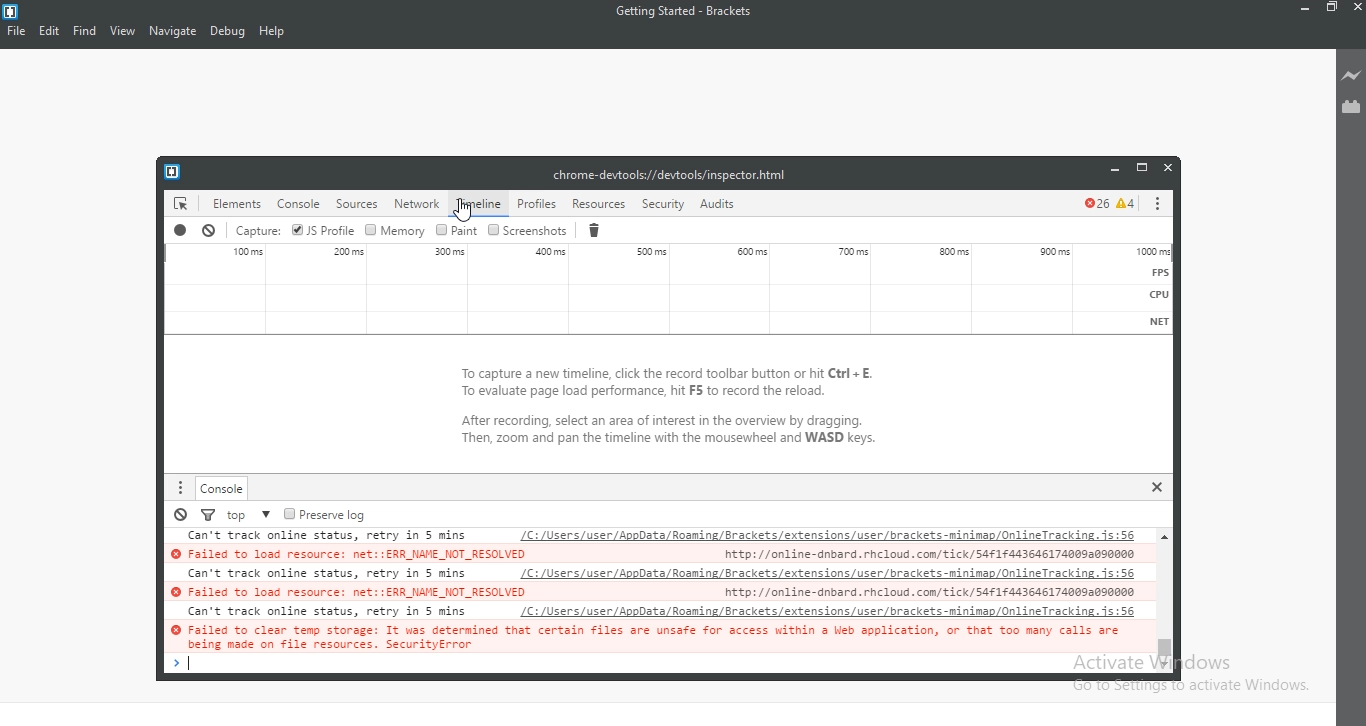  I want to click on close, so click(1167, 169).